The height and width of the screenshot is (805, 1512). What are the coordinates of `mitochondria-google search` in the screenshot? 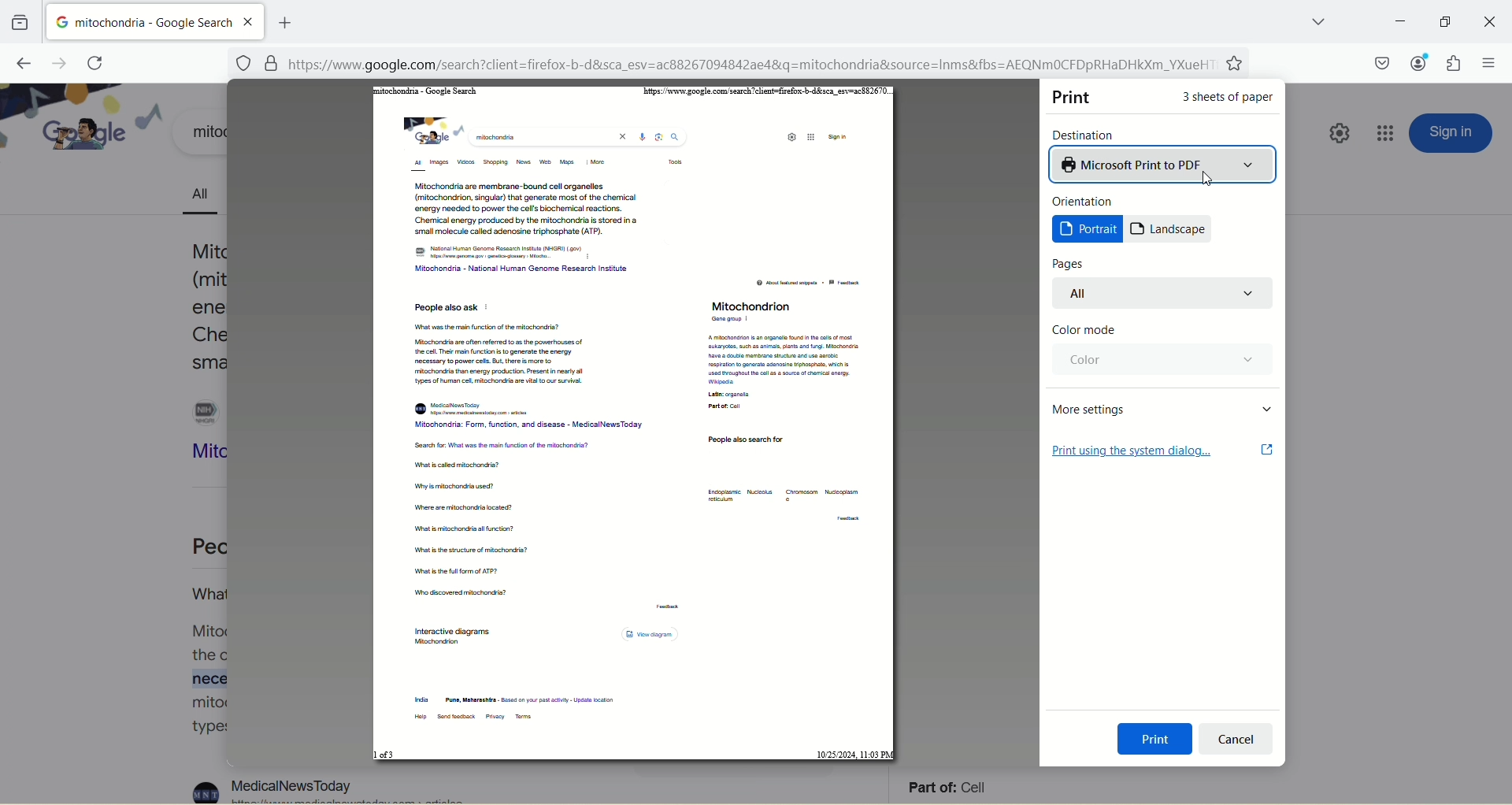 It's located at (139, 20).